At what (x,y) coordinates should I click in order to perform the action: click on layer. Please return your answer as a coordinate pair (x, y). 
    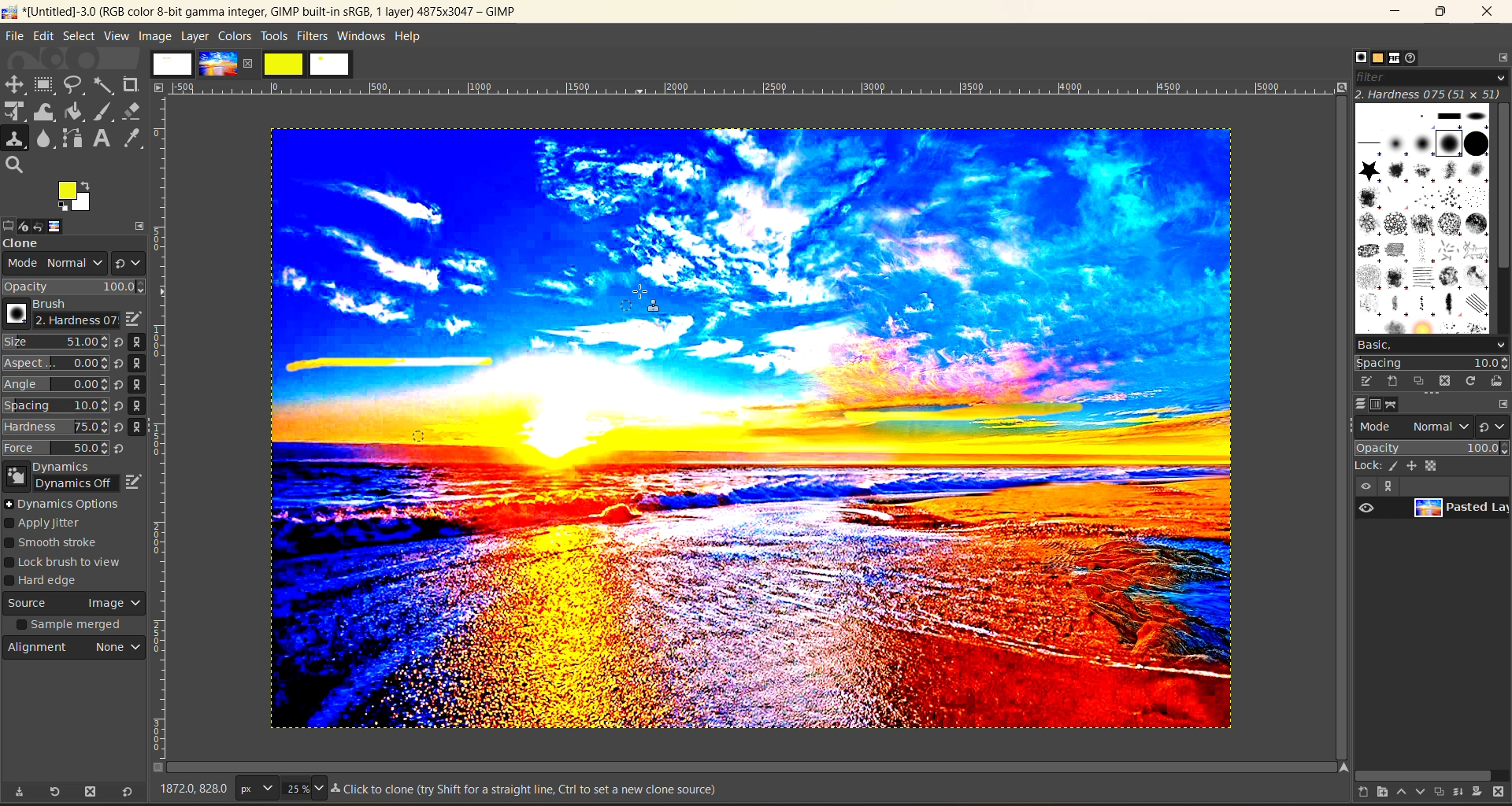
    Looking at the image, I should click on (195, 35).